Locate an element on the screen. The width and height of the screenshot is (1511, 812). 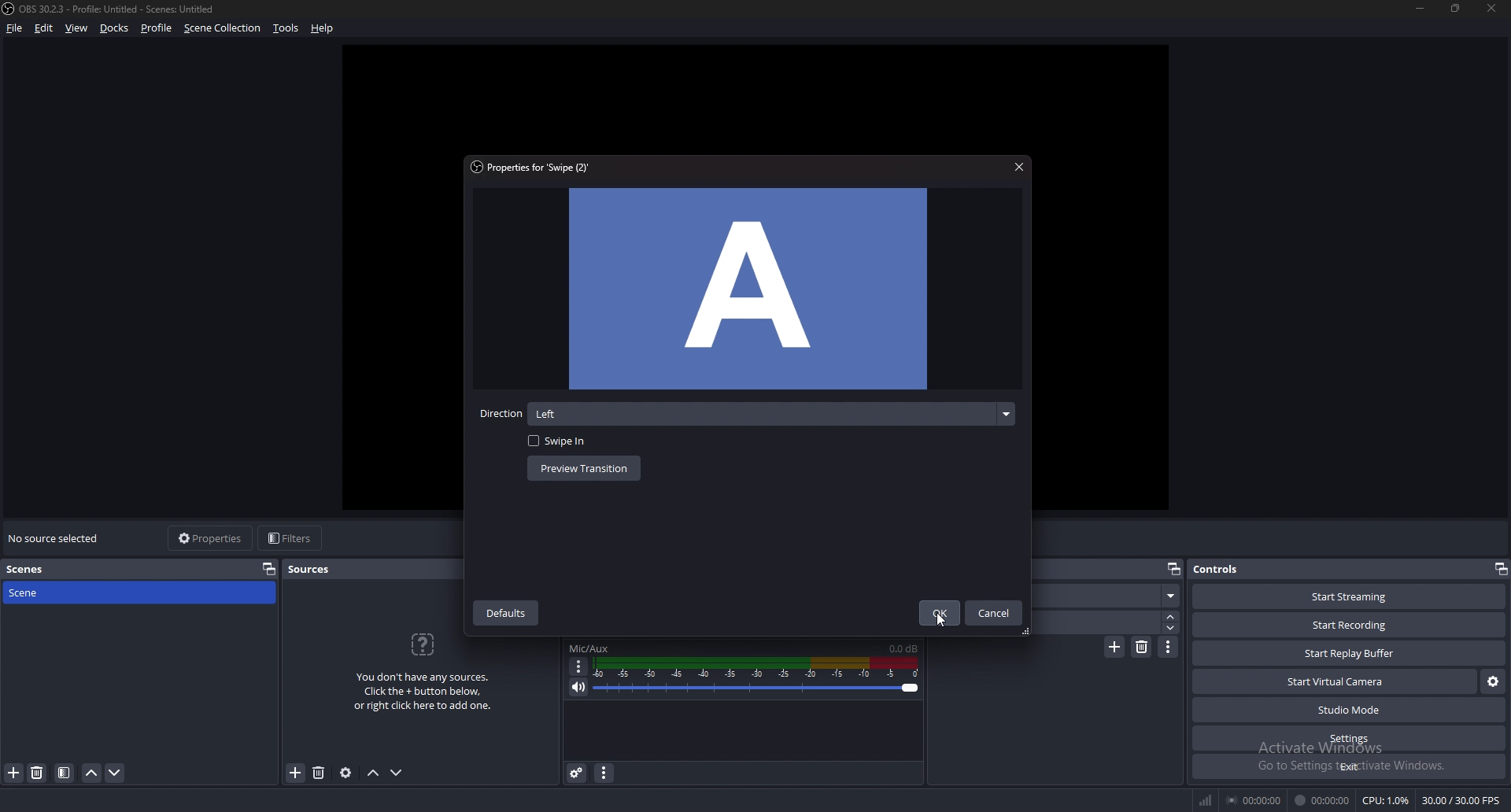
pop out is located at coordinates (1174, 569).